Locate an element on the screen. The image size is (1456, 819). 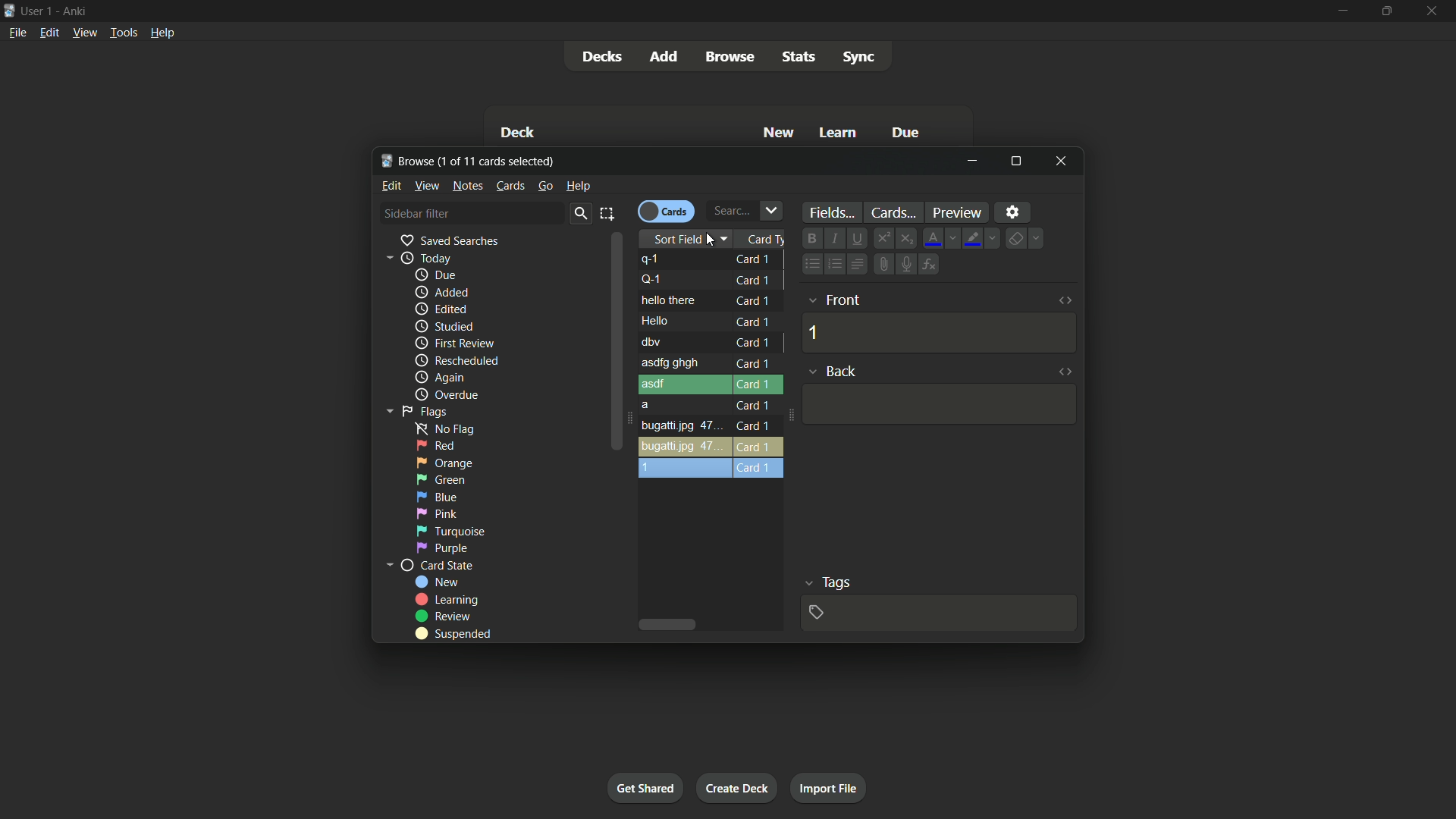
deck is located at coordinates (518, 132).